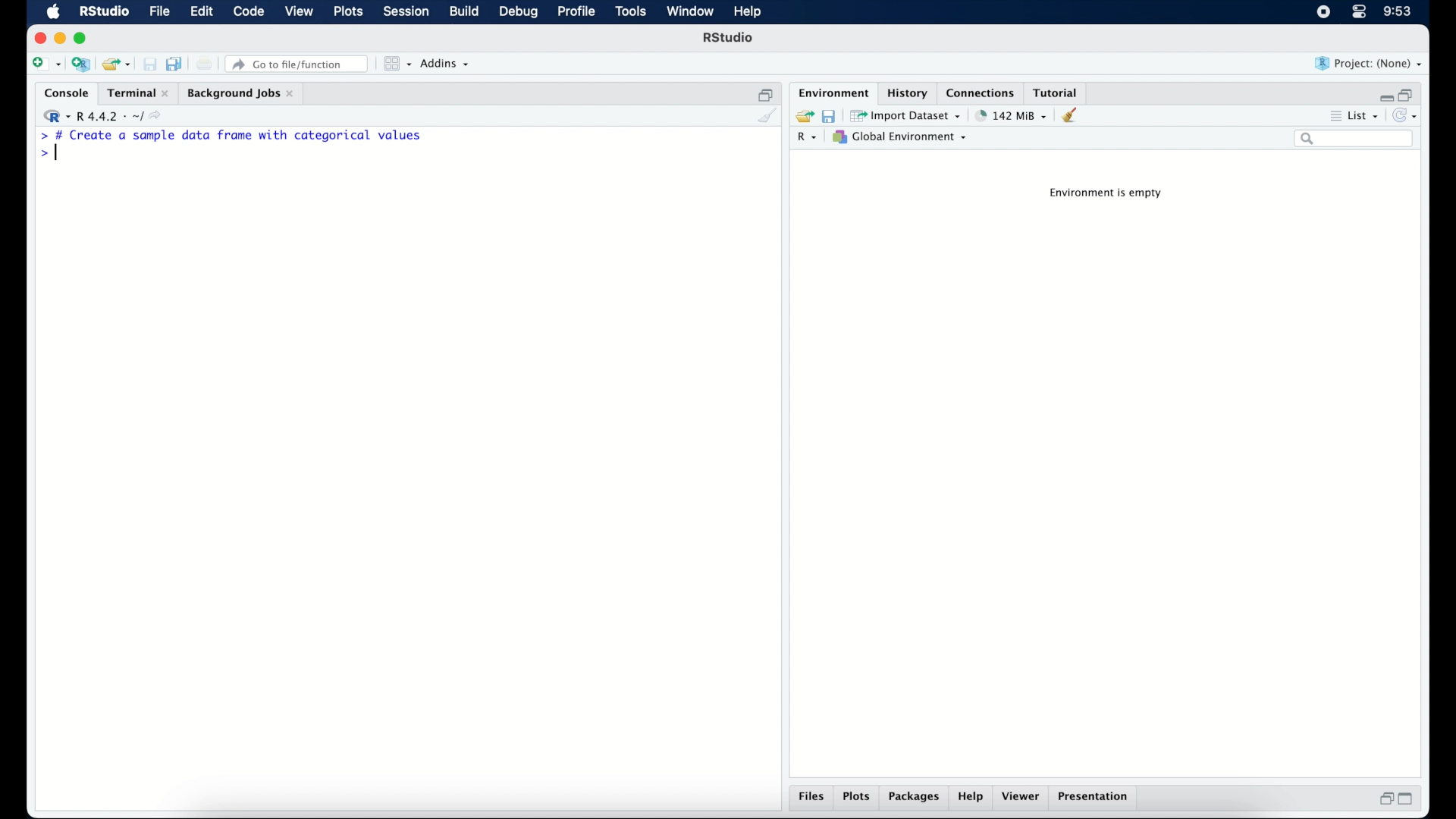  What do you see at coordinates (243, 93) in the screenshot?
I see `background jobs` at bounding box center [243, 93].